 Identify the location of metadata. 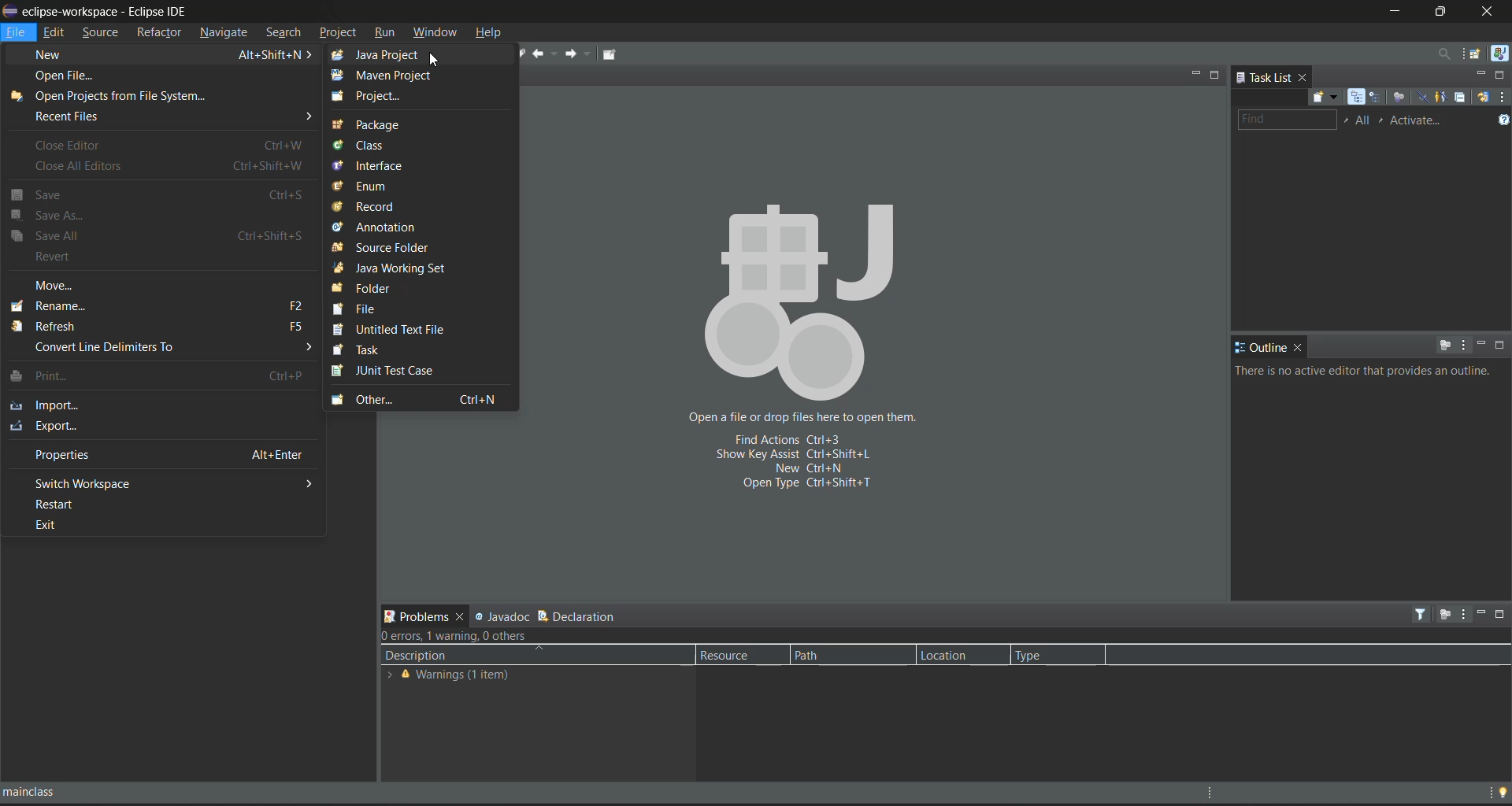
(470, 637).